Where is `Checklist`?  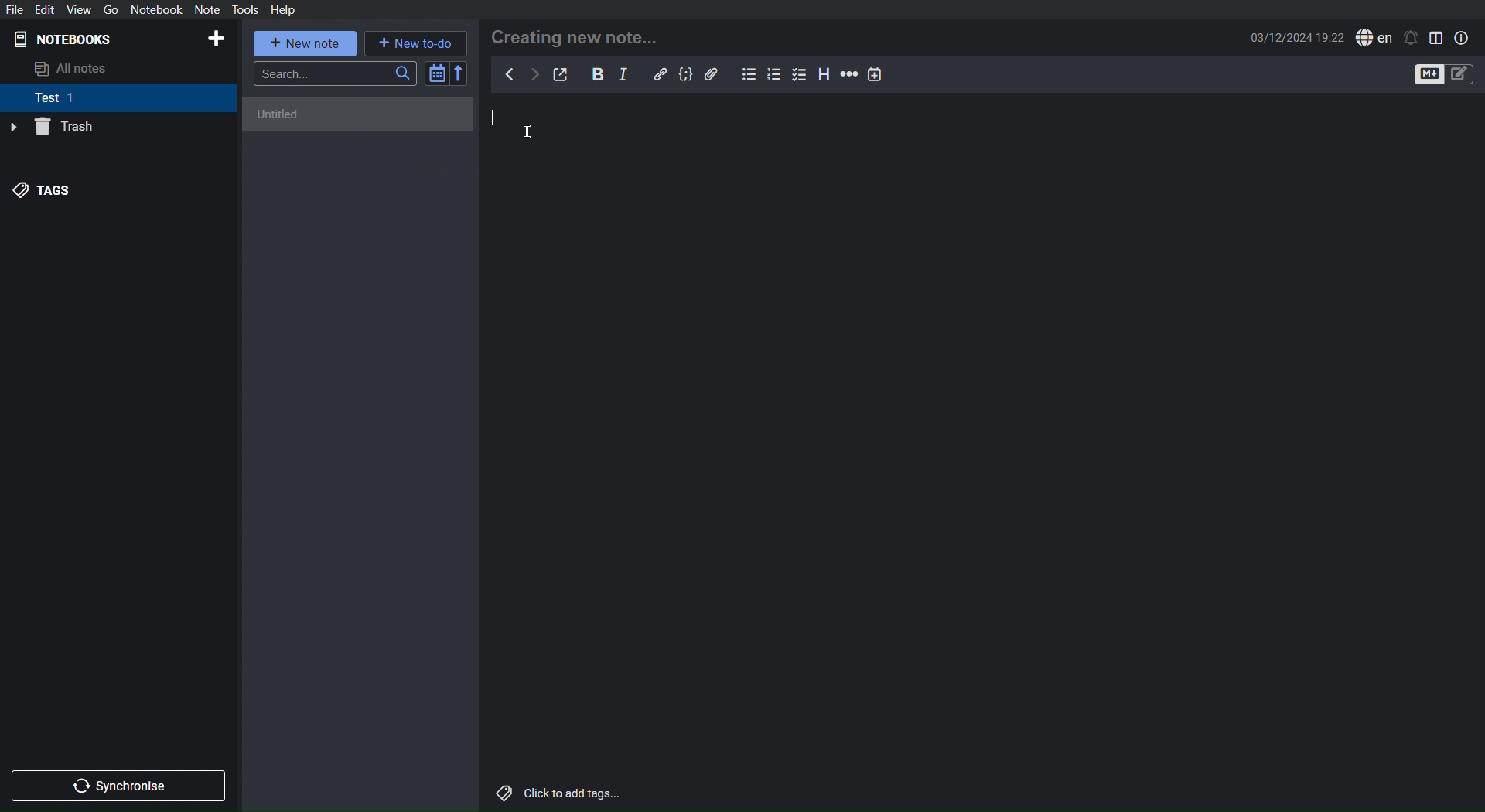
Checklist is located at coordinates (800, 75).